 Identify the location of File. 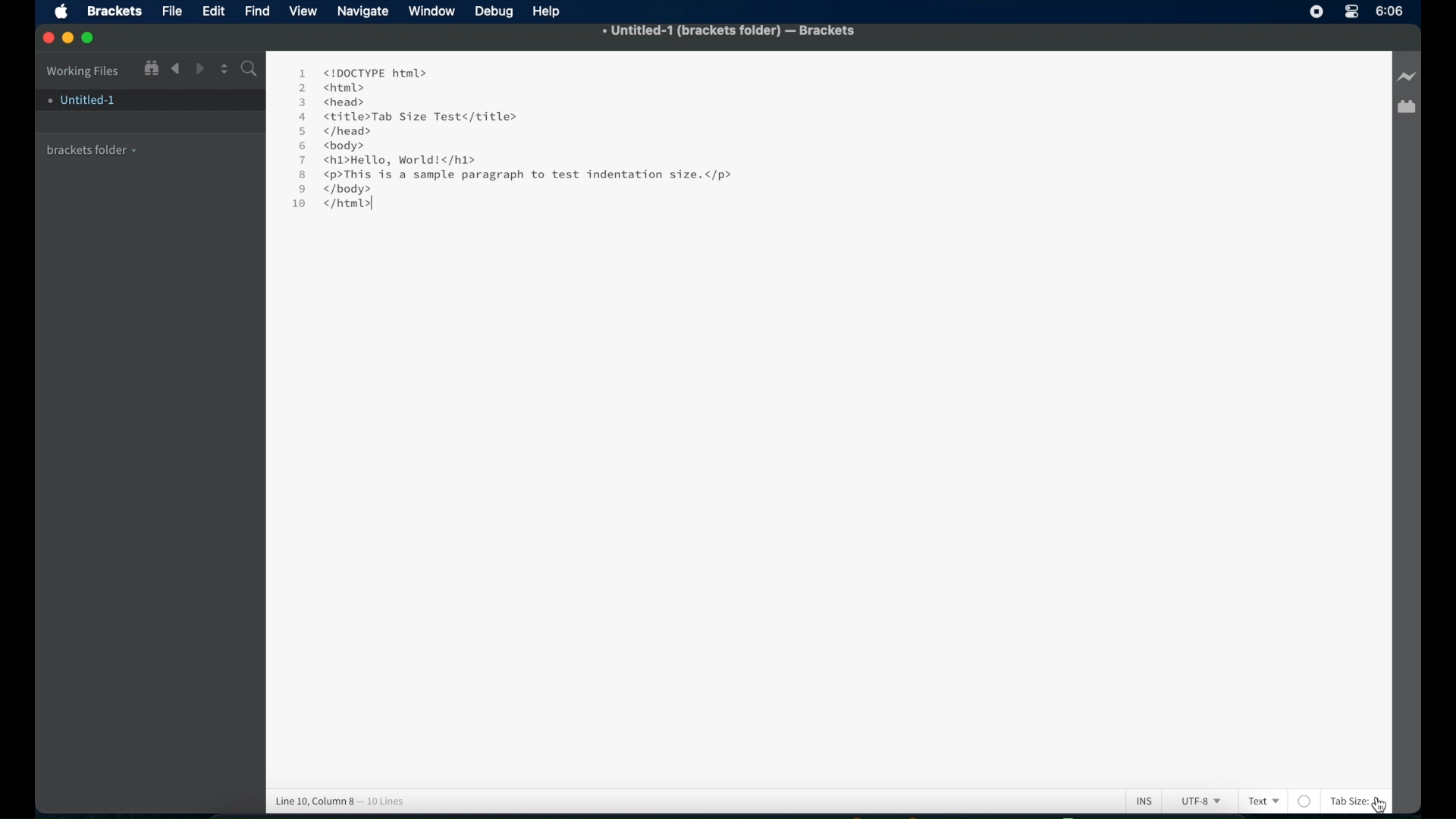
(172, 12).